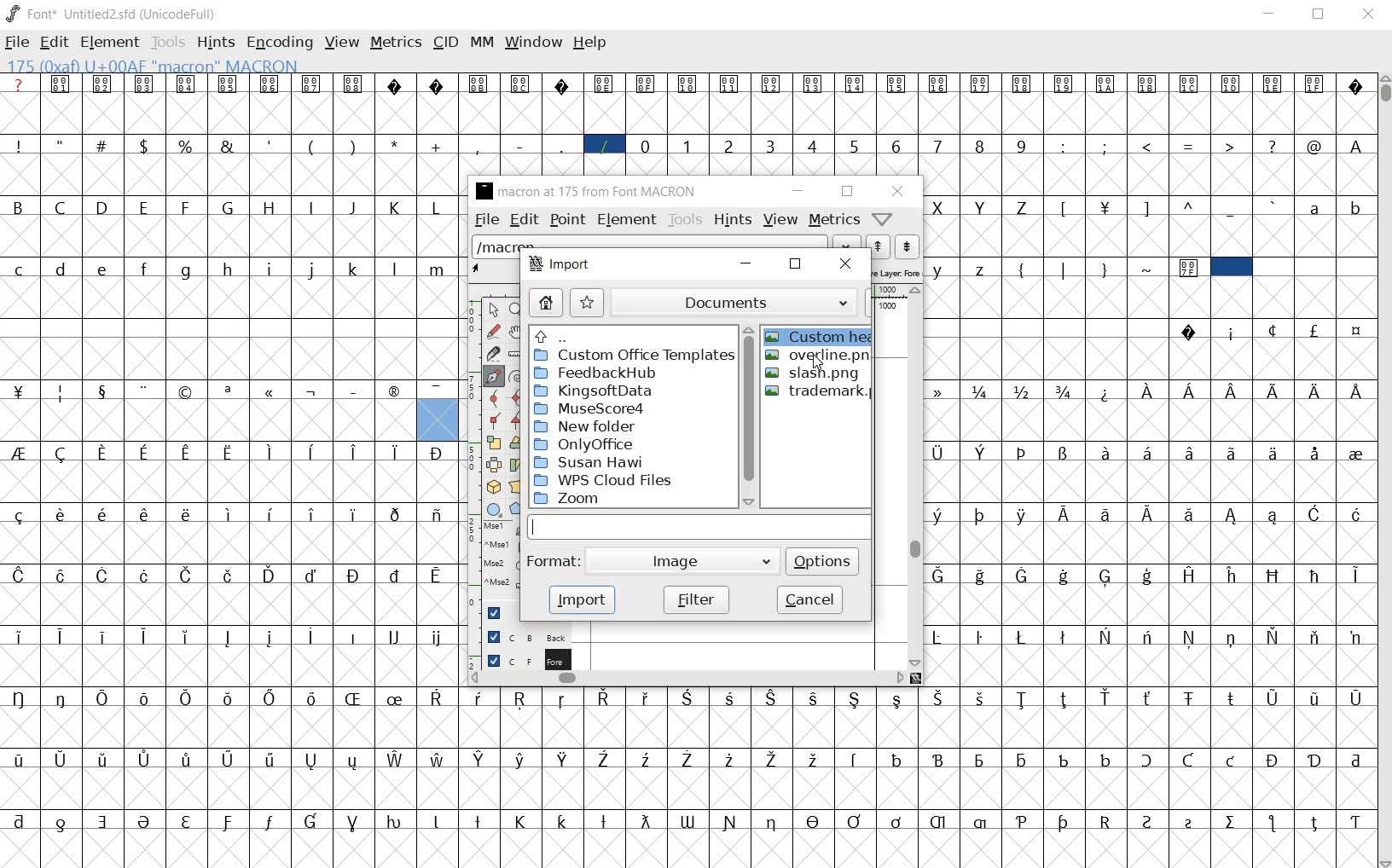 This screenshot has width=1392, height=868. What do you see at coordinates (1065, 146) in the screenshot?
I see `:` at bounding box center [1065, 146].